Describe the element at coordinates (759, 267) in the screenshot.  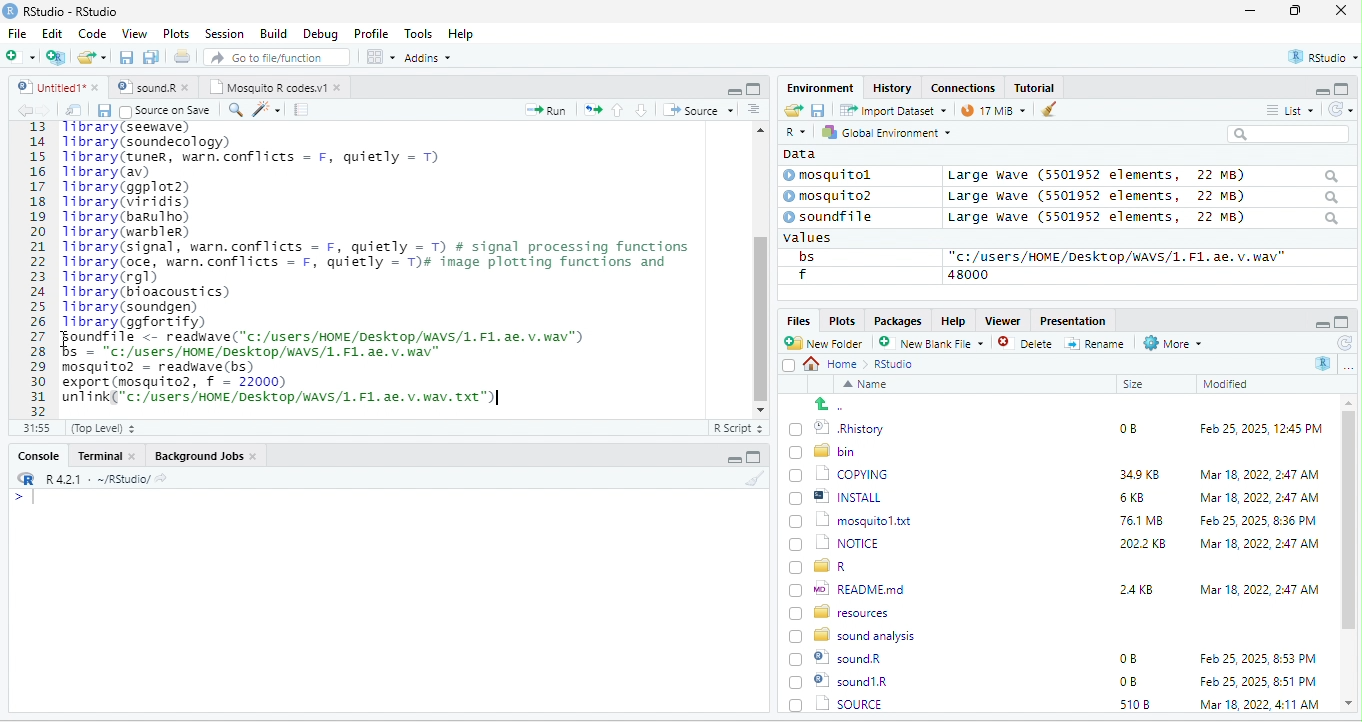
I see `scroll bar` at that location.